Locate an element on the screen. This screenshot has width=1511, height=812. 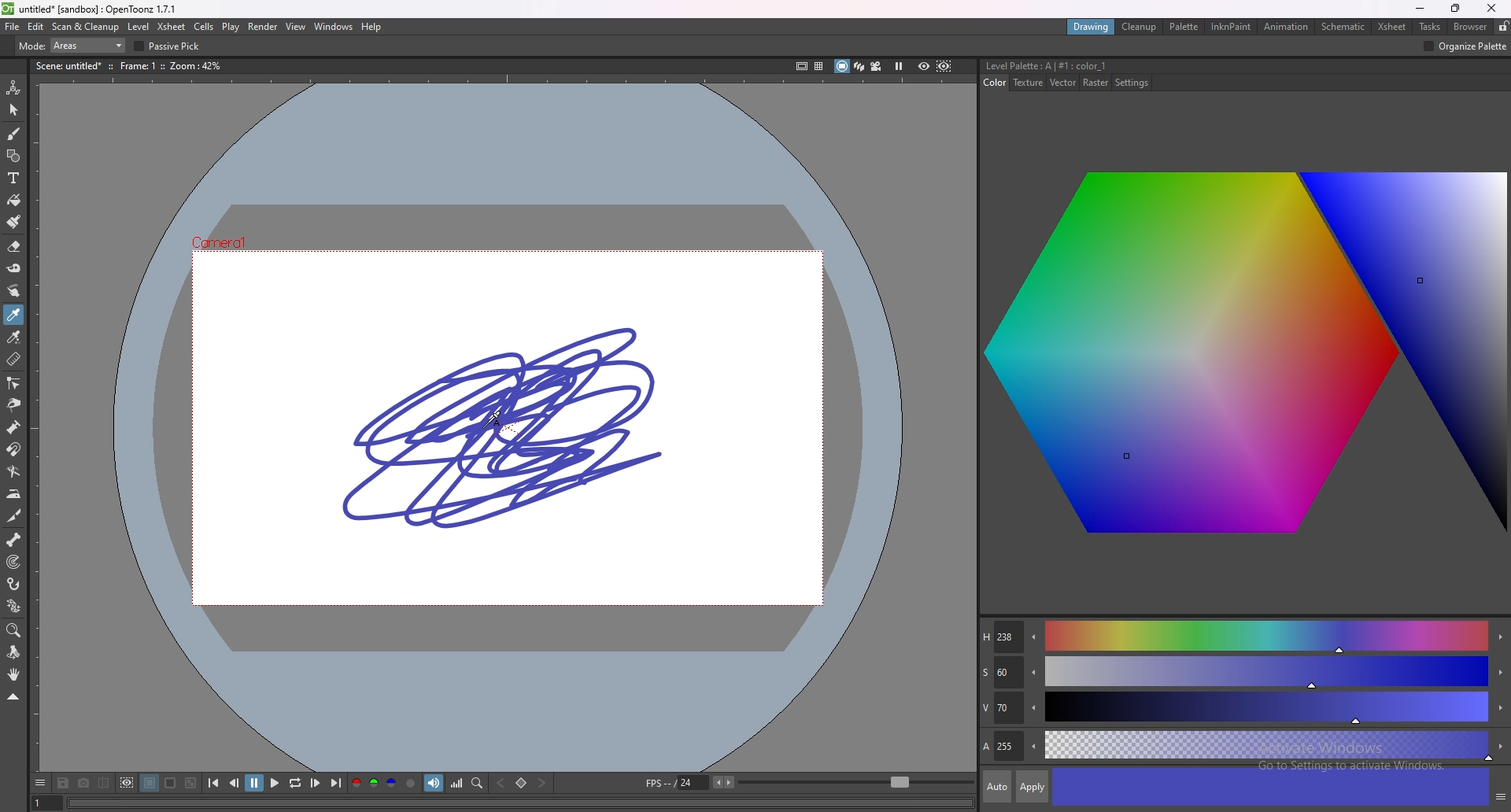
raster is located at coordinates (1096, 83).